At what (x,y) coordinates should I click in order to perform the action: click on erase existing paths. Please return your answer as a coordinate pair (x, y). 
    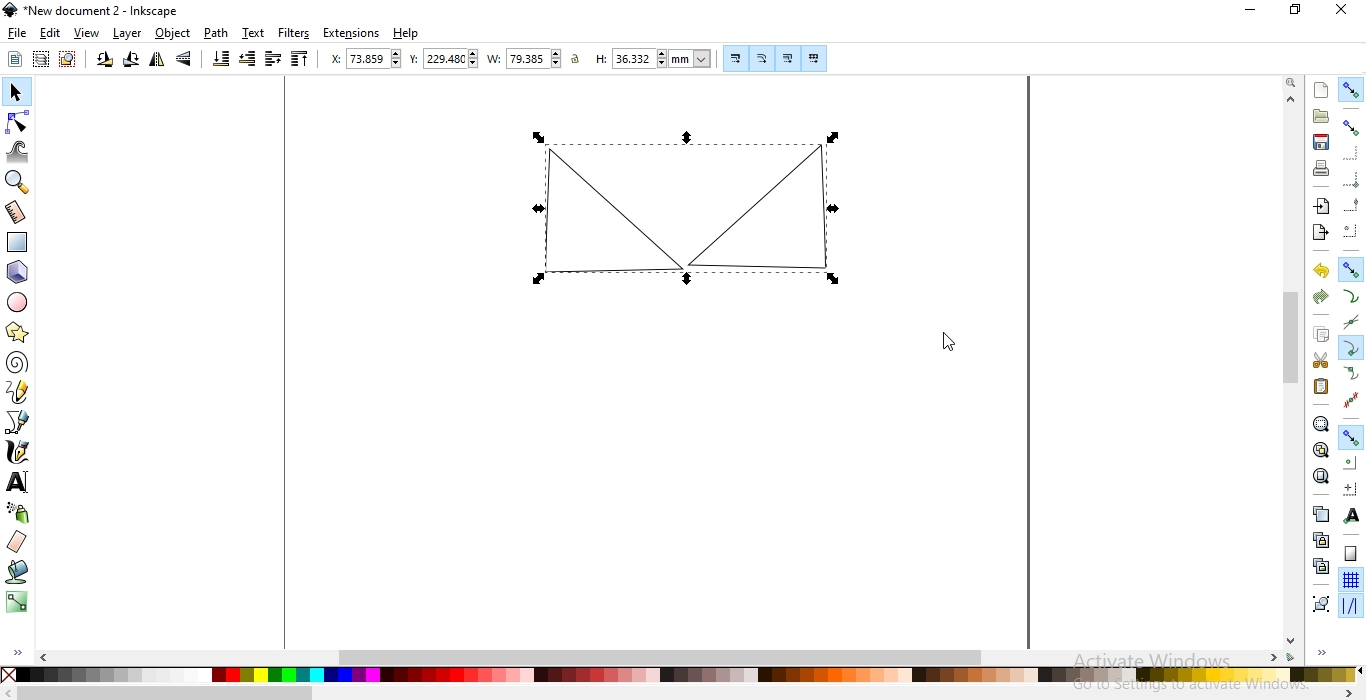
    Looking at the image, I should click on (18, 542).